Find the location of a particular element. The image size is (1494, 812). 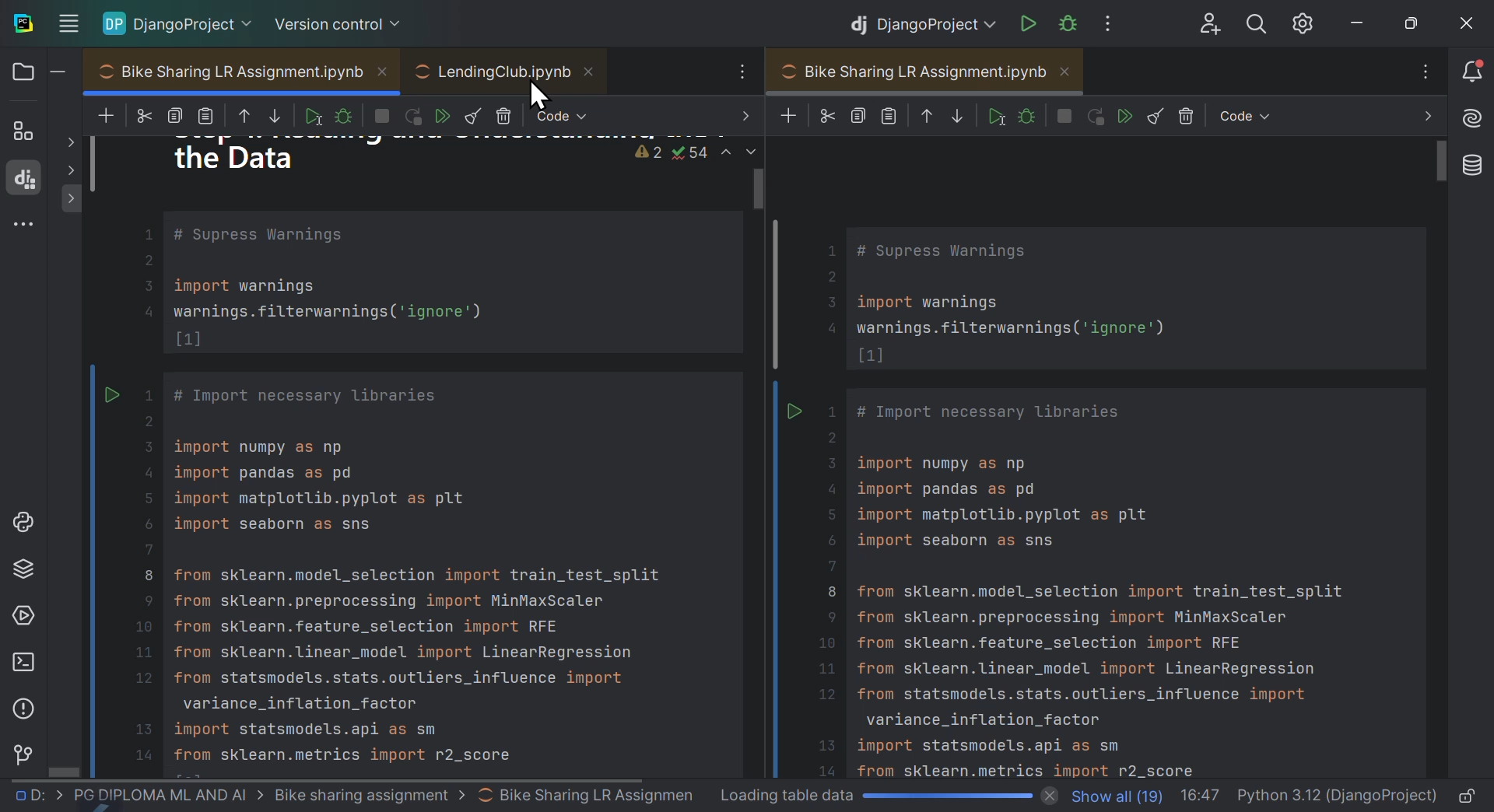

cut  is located at coordinates (143, 114).